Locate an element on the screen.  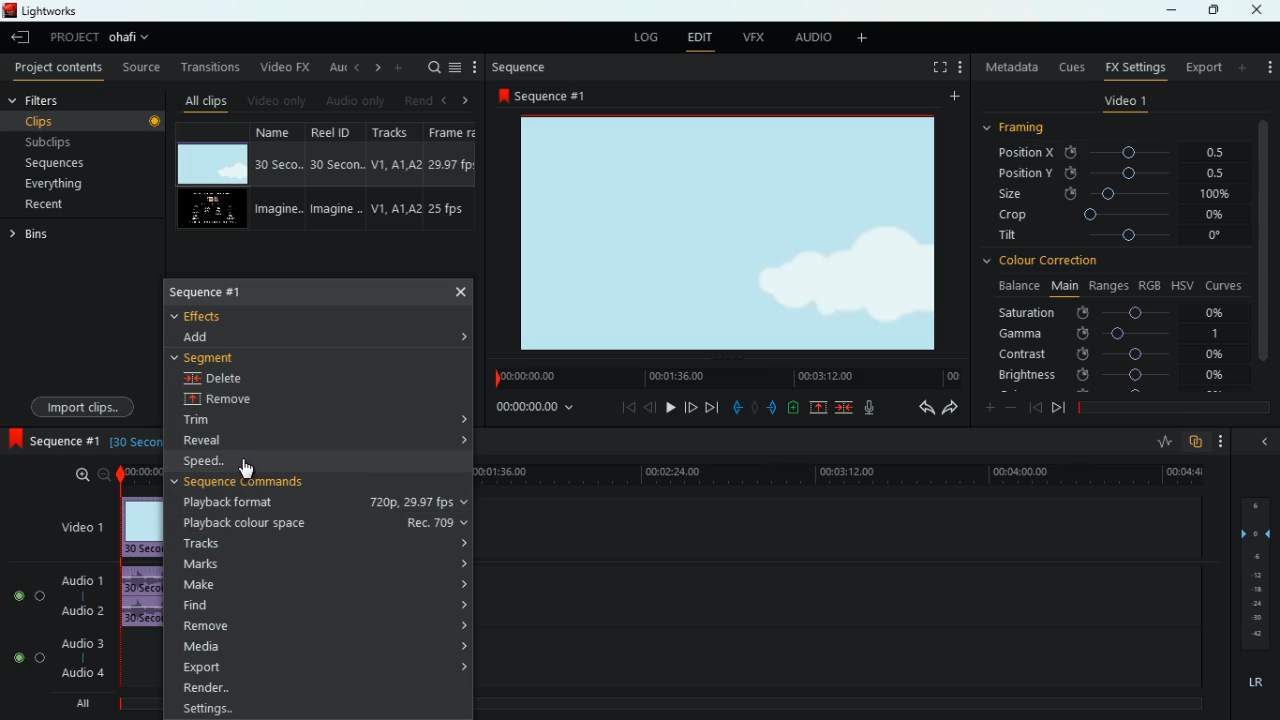
au is located at coordinates (331, 65).